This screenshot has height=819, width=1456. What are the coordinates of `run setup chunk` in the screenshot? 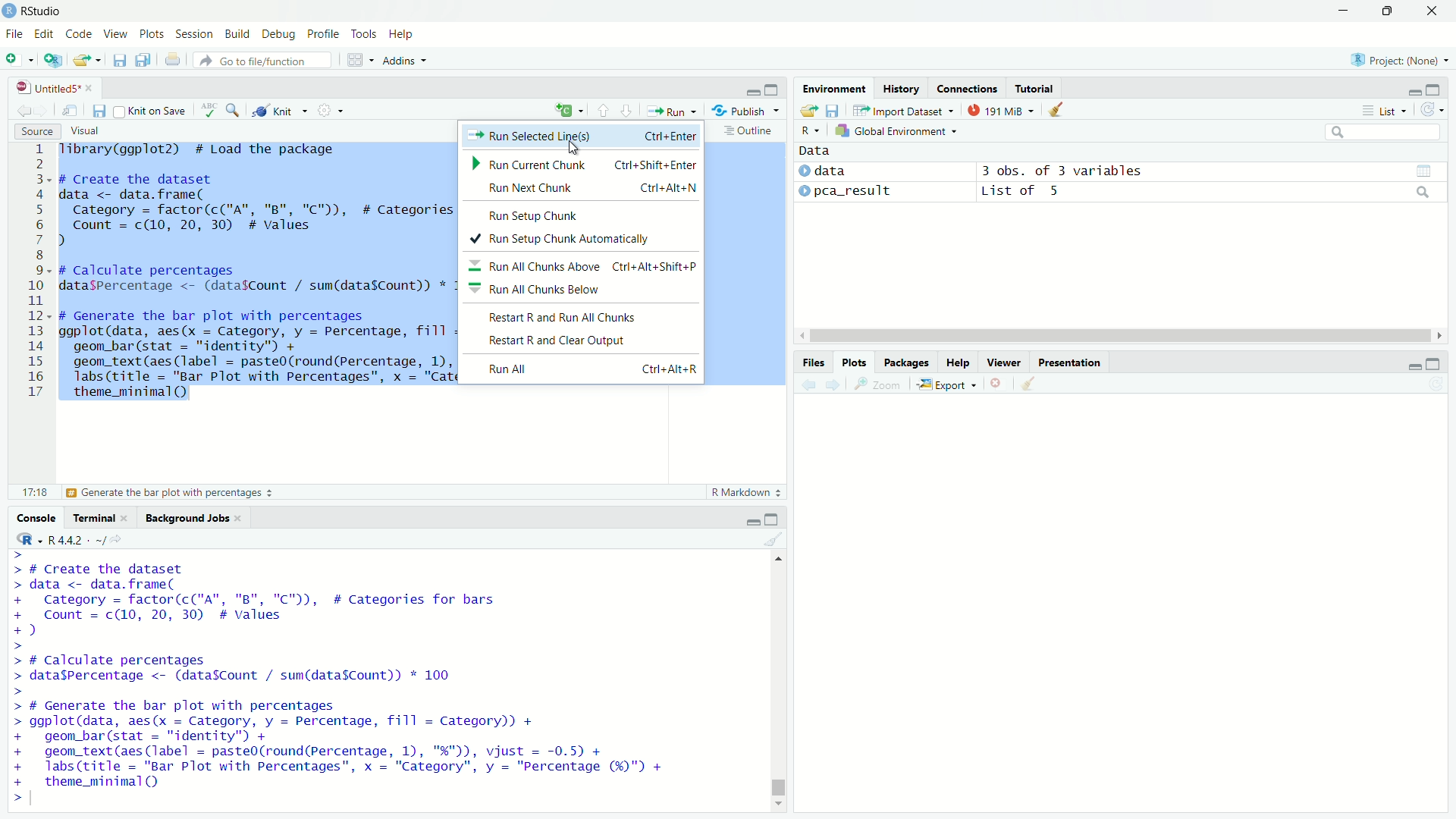 It's located at (584, 213).